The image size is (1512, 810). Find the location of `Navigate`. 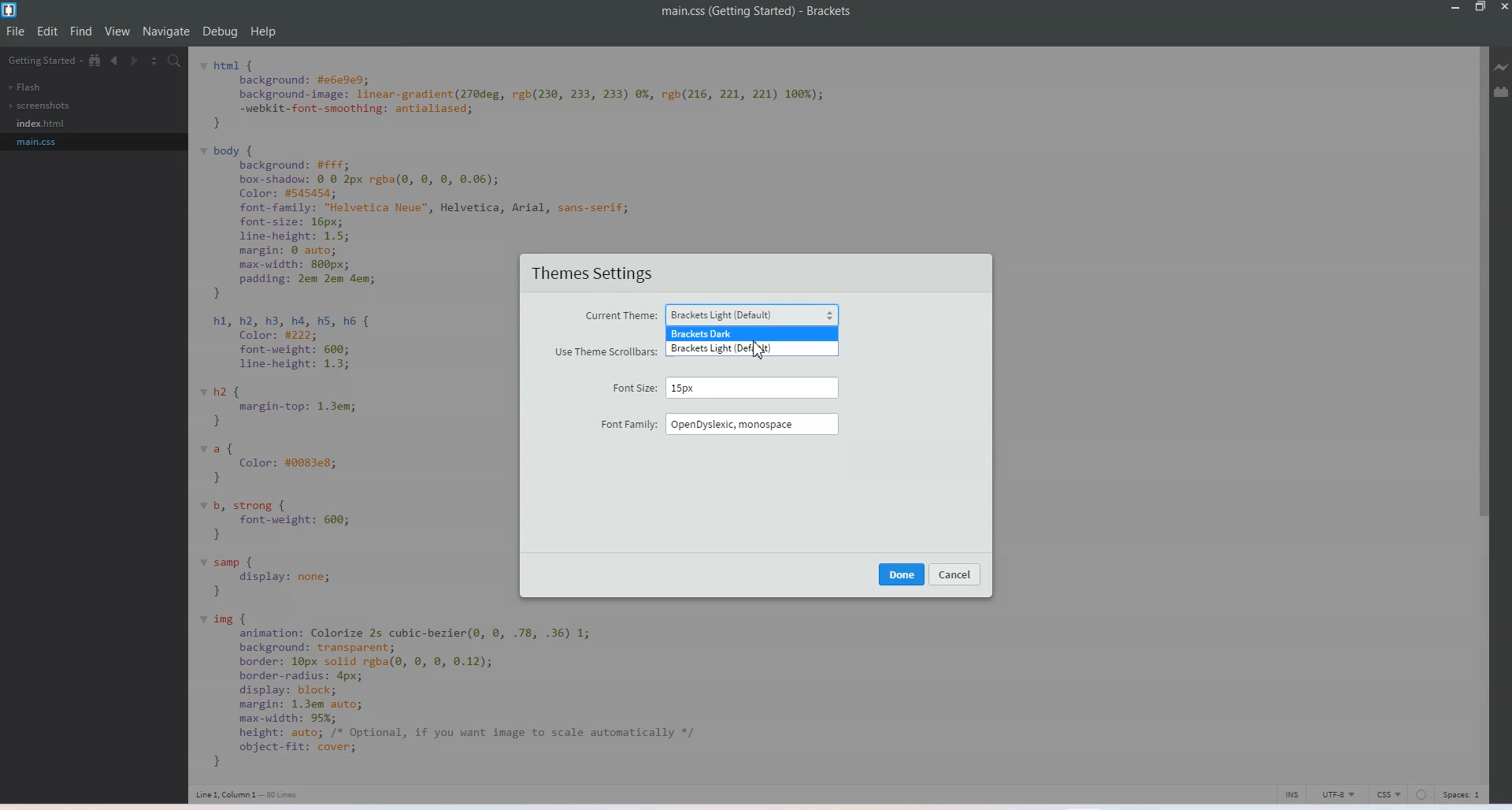

Navigate is located at coordinates (168, 32).